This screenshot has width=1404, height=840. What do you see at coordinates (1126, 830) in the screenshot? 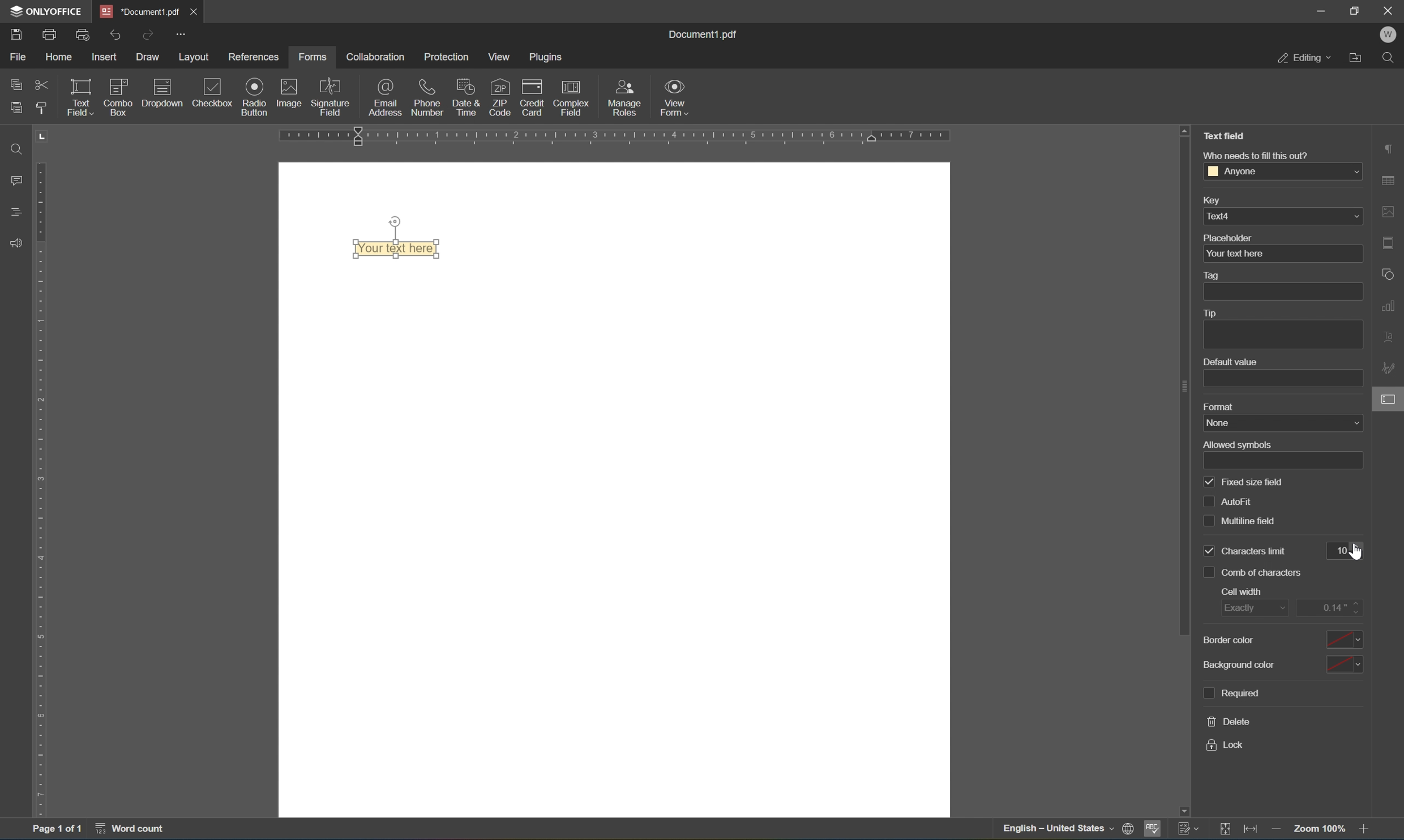
I see `set document language` at bounding box center [1126, 830].